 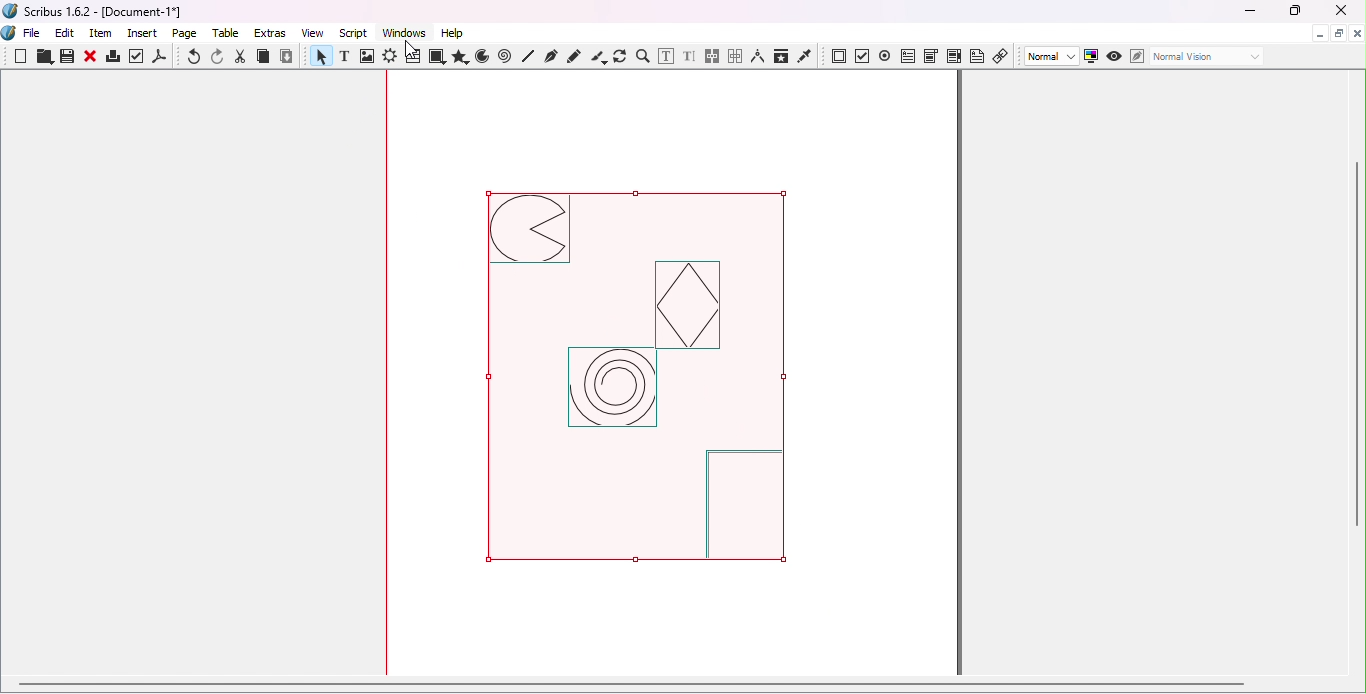 I want to click on Toggle color management system, so click(x=1092, y=55).